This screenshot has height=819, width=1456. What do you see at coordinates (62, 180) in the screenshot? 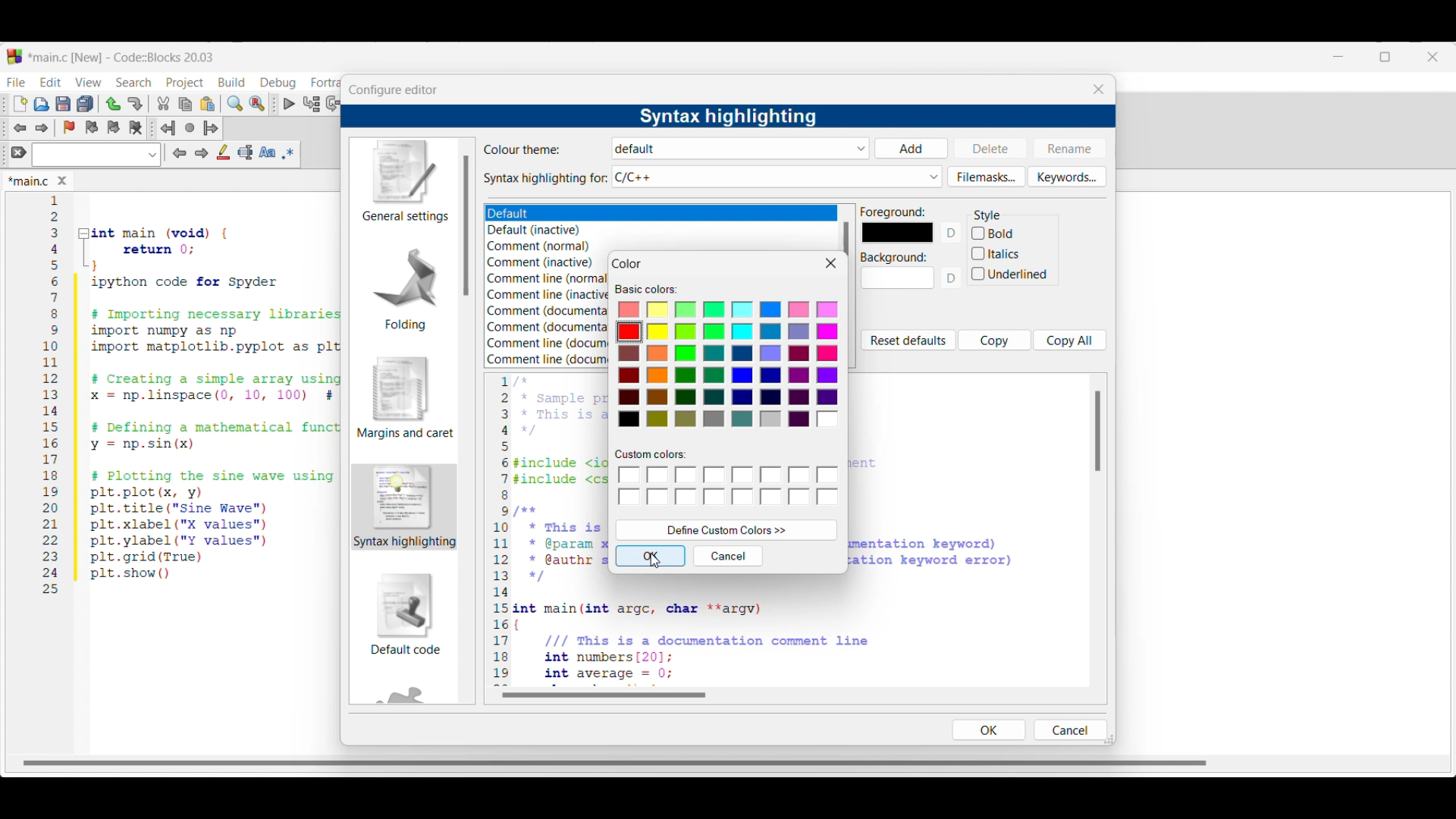
I see `Close tab` at bounding box center [62, 180].